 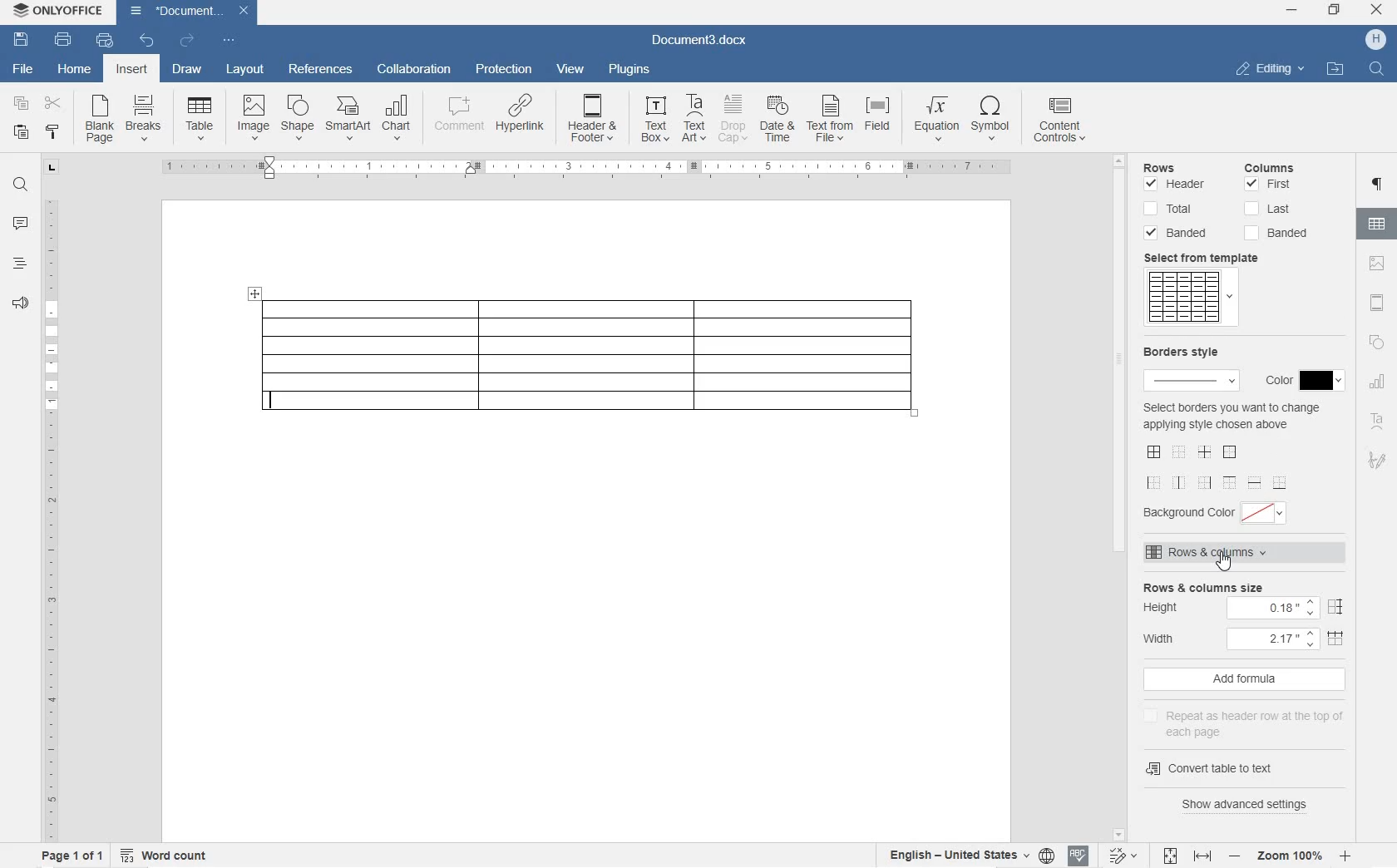 What do you see at coordinates (1213, 769) in the screenshot?
I see `convert table to text` at bounding box center [1213, 769].